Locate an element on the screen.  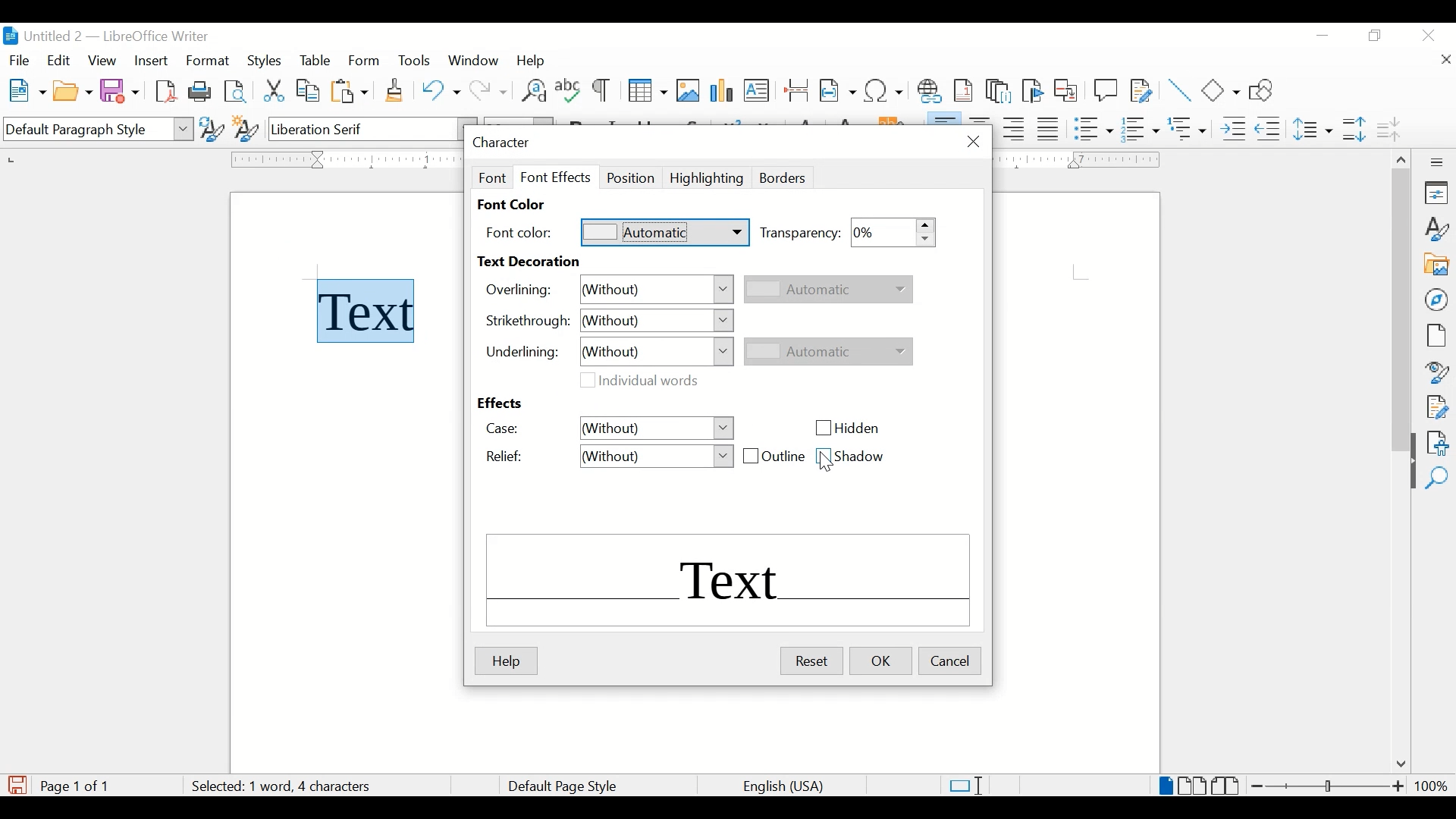
close is located at coordinates (974, 141).